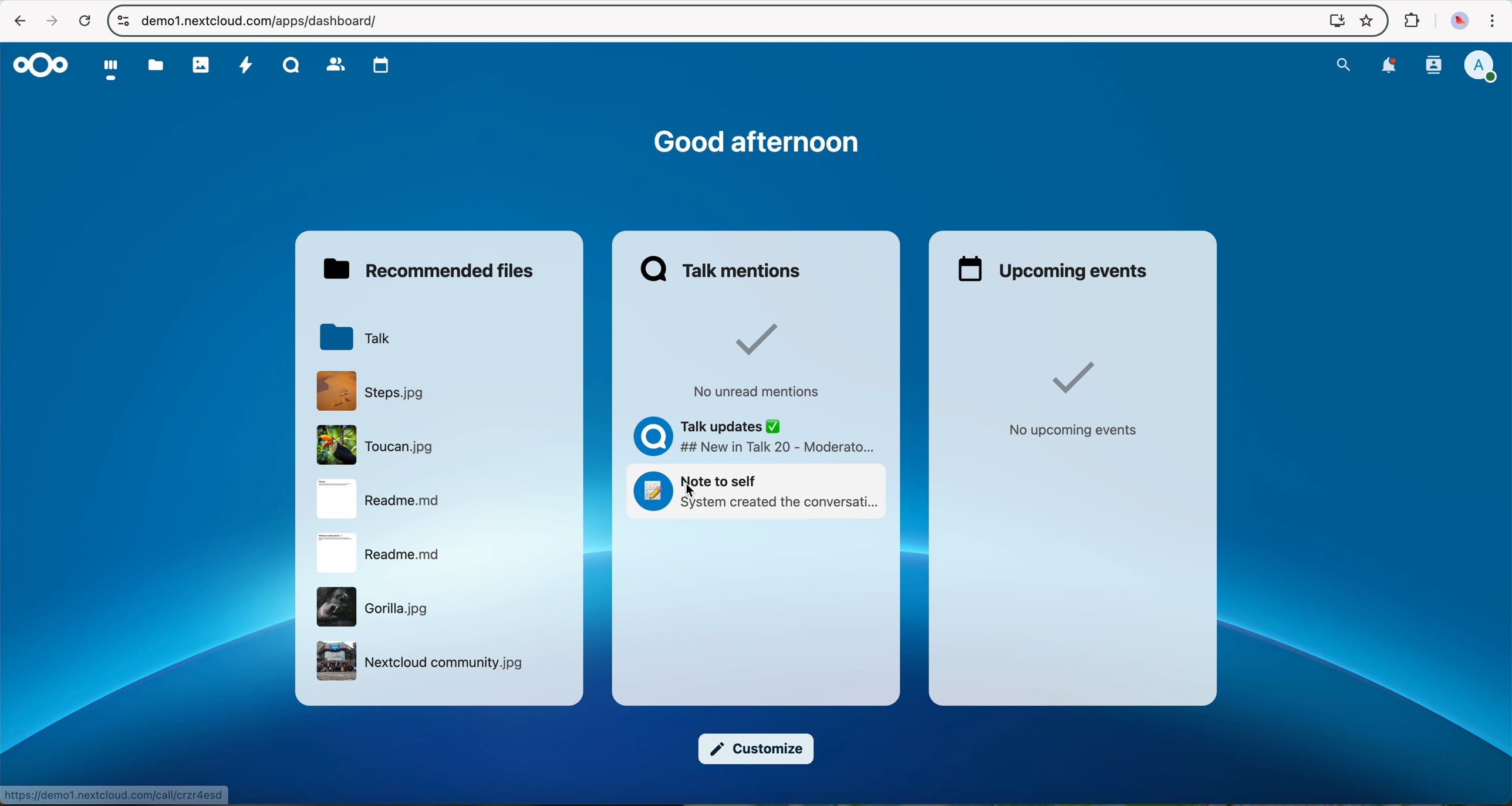 The width and height of the screenshot is (1512, 806). What do you see at coordinates (383, 65) in the screenshot?
I see `calendar` at bounding box center [383, 65].